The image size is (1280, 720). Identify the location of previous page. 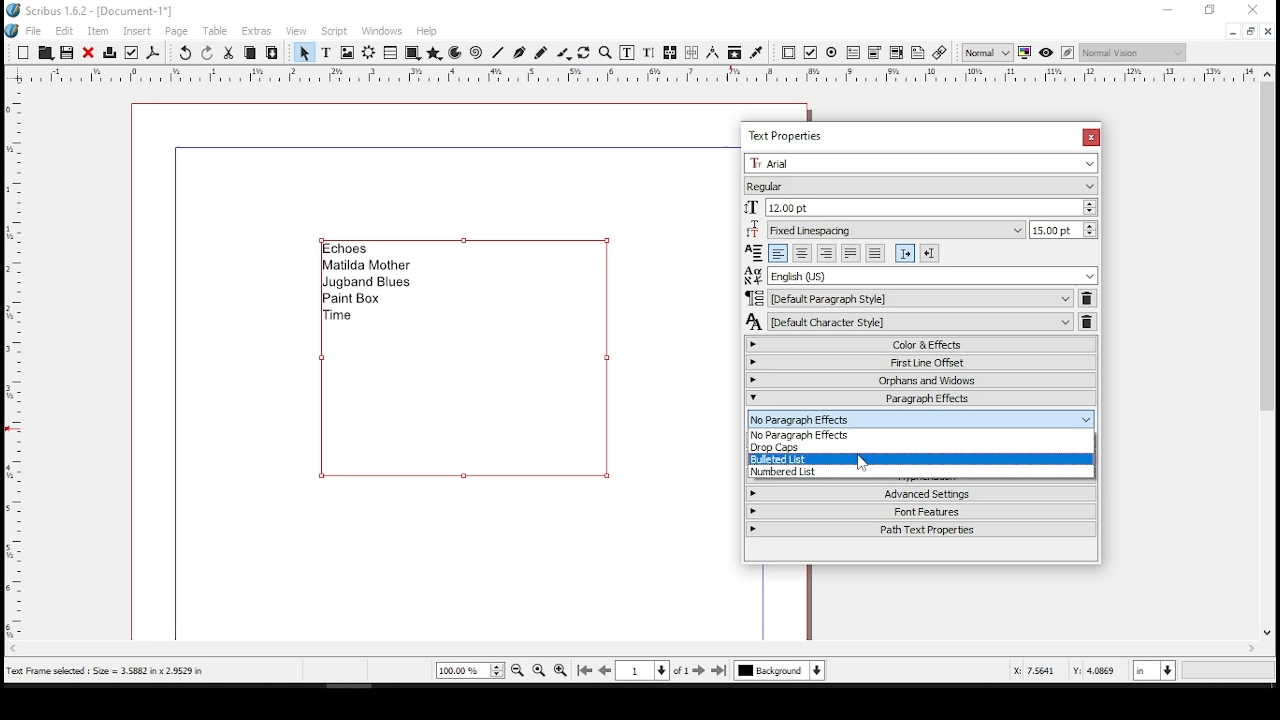
(606, 670).